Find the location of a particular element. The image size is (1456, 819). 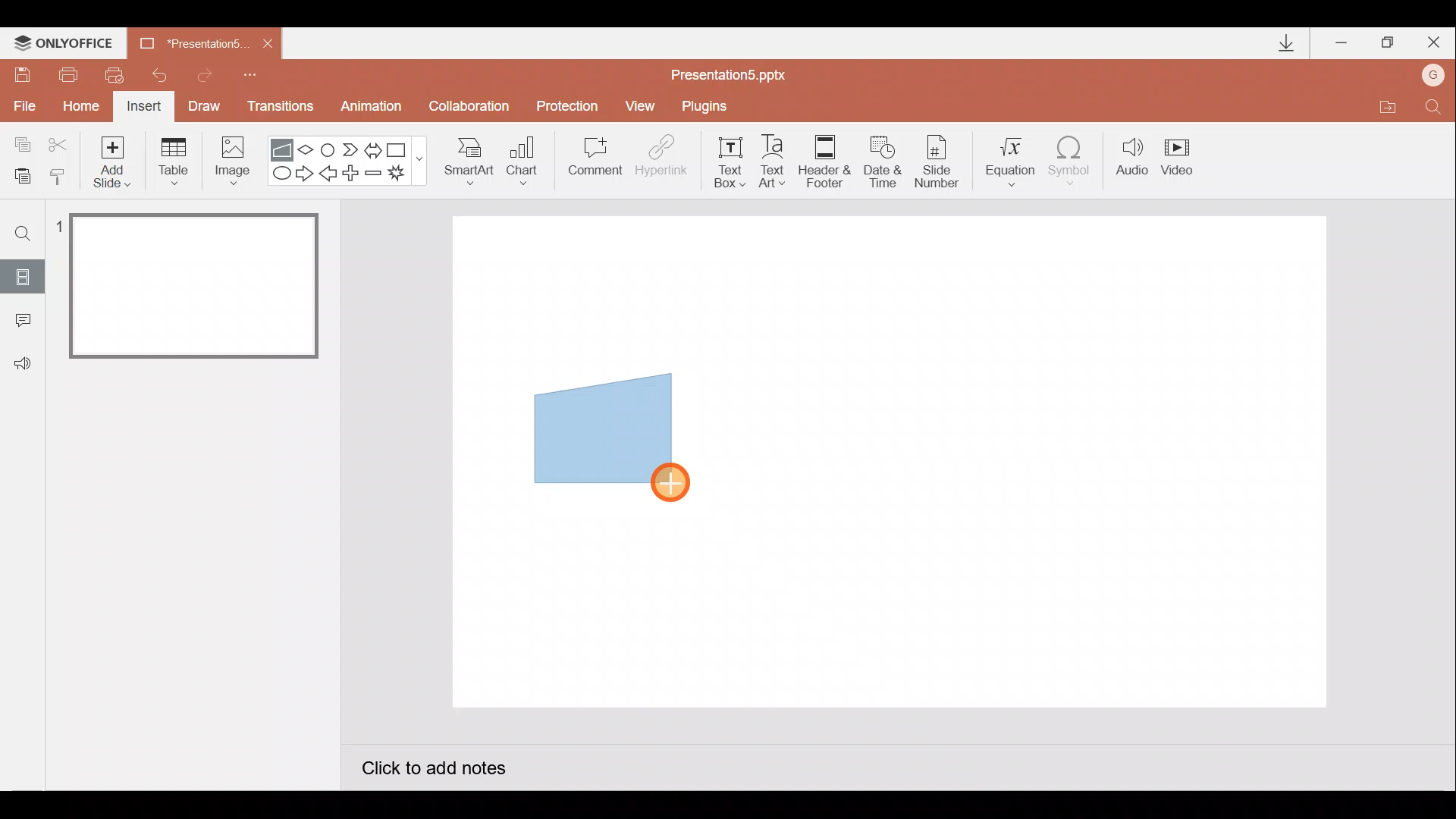

Plus is located at coordinates (353, 175).